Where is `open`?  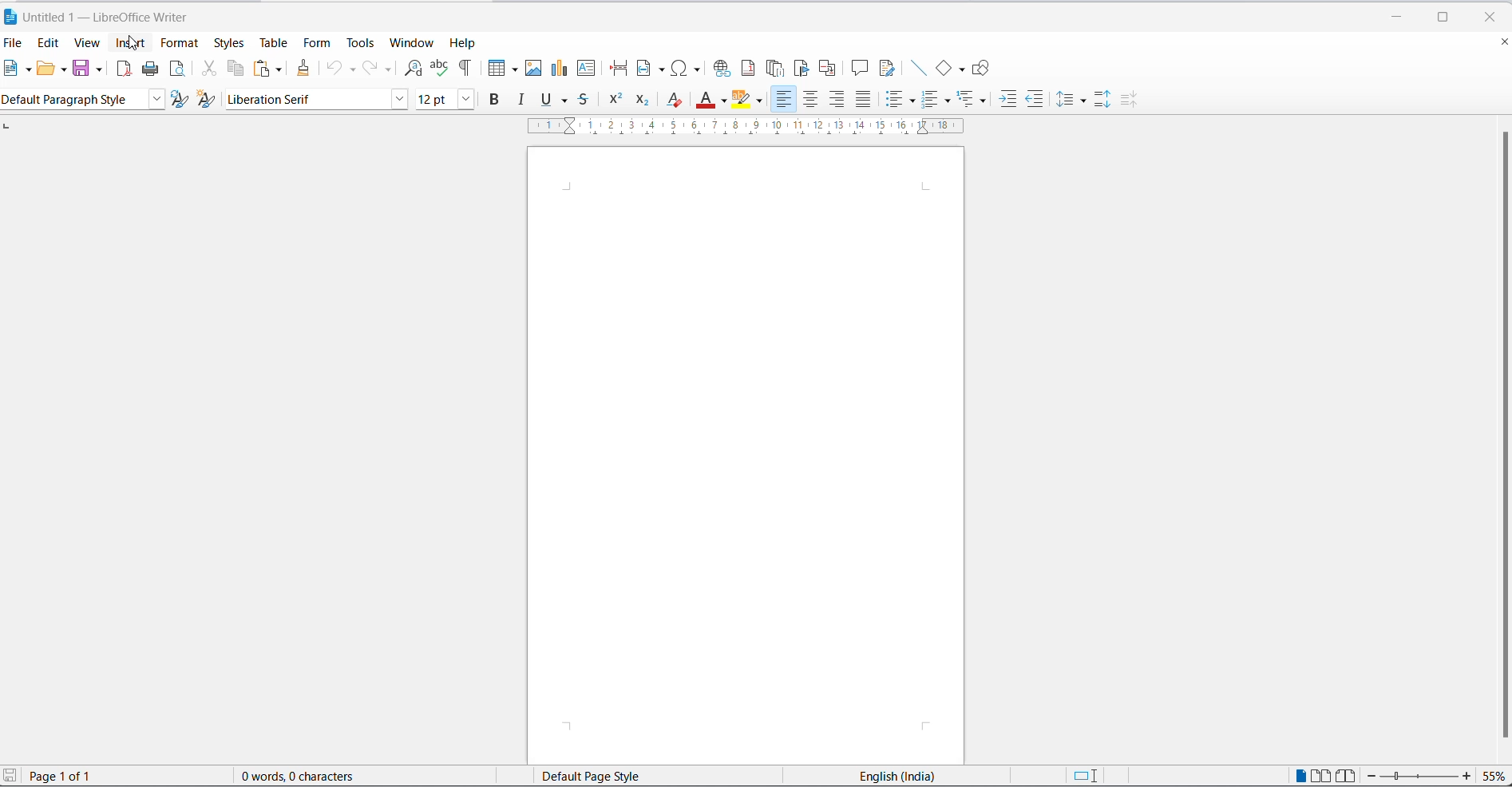 open is located at coordinates (45, 69).